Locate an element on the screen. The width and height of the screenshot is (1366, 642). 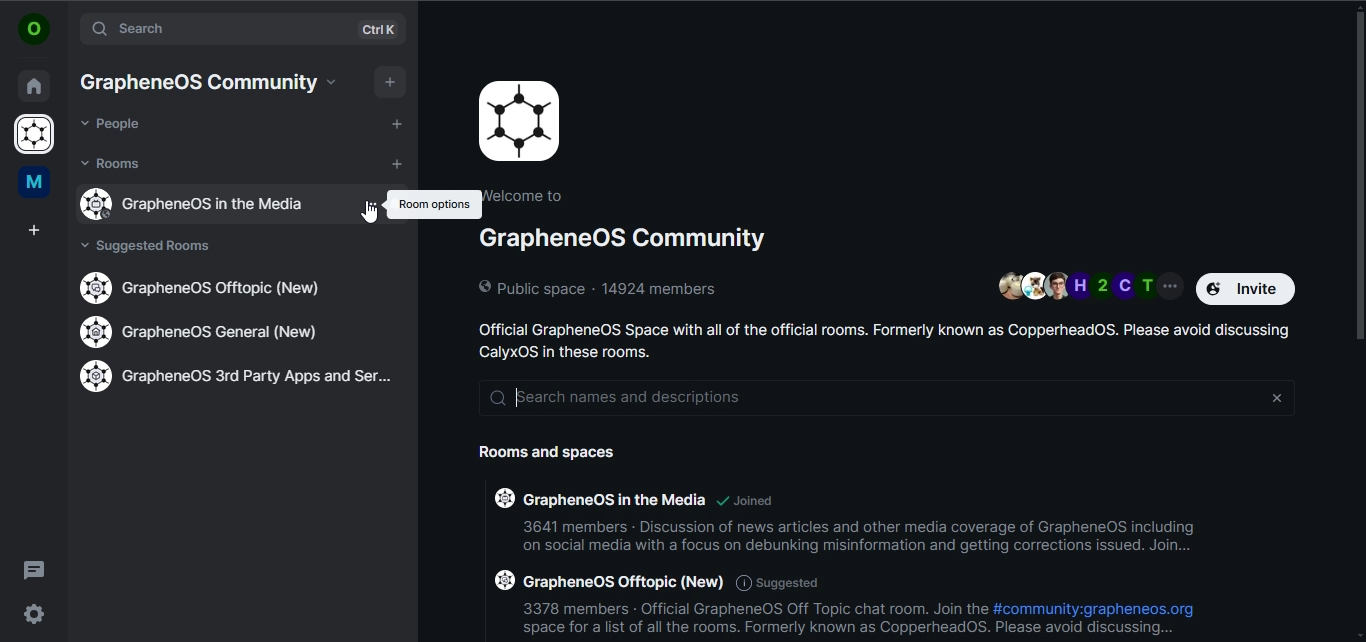
icon is located at coordinates (520, 121).